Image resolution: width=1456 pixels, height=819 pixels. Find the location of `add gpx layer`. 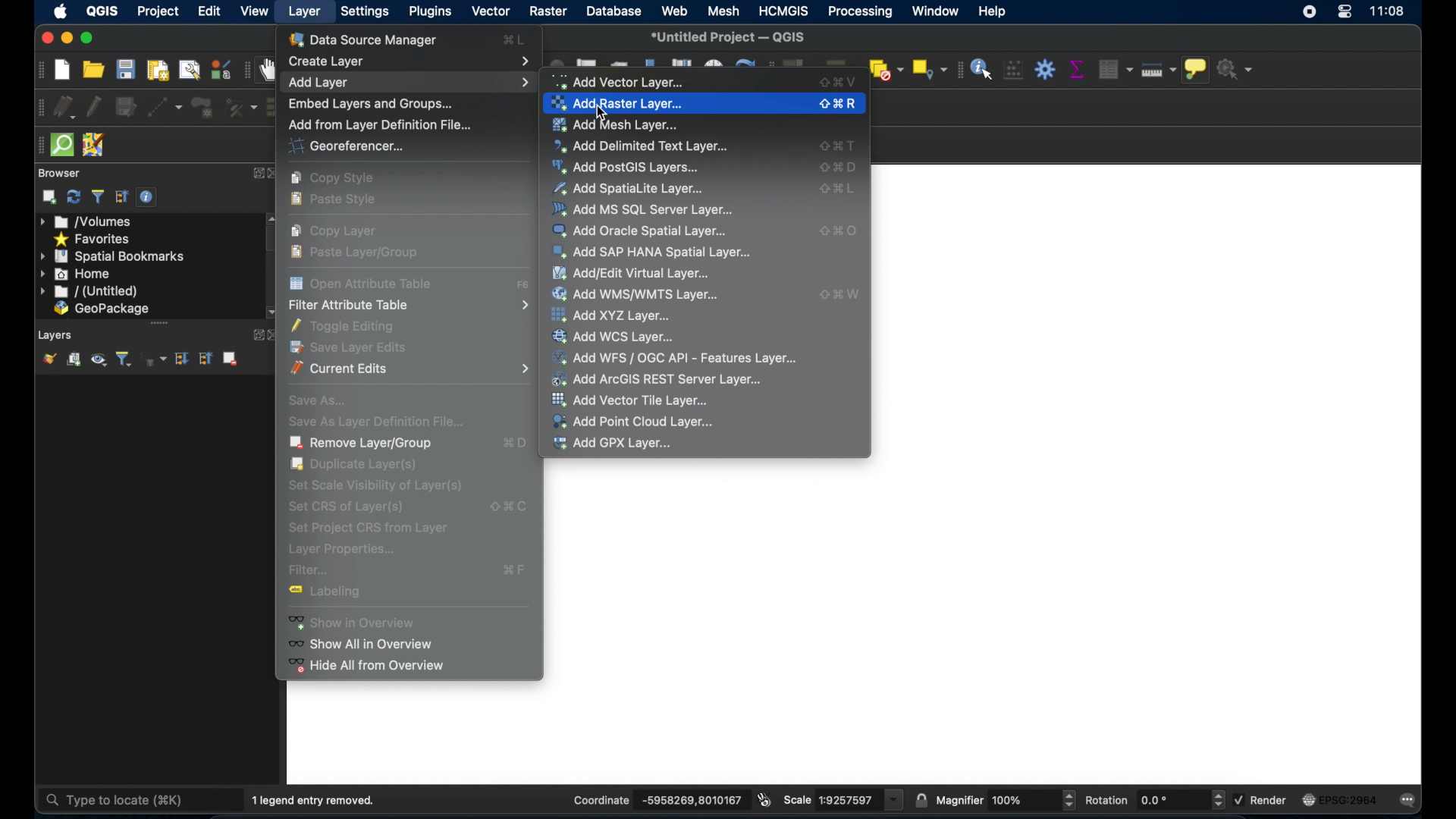

add gpx layer is located at coordinates (613, 444).